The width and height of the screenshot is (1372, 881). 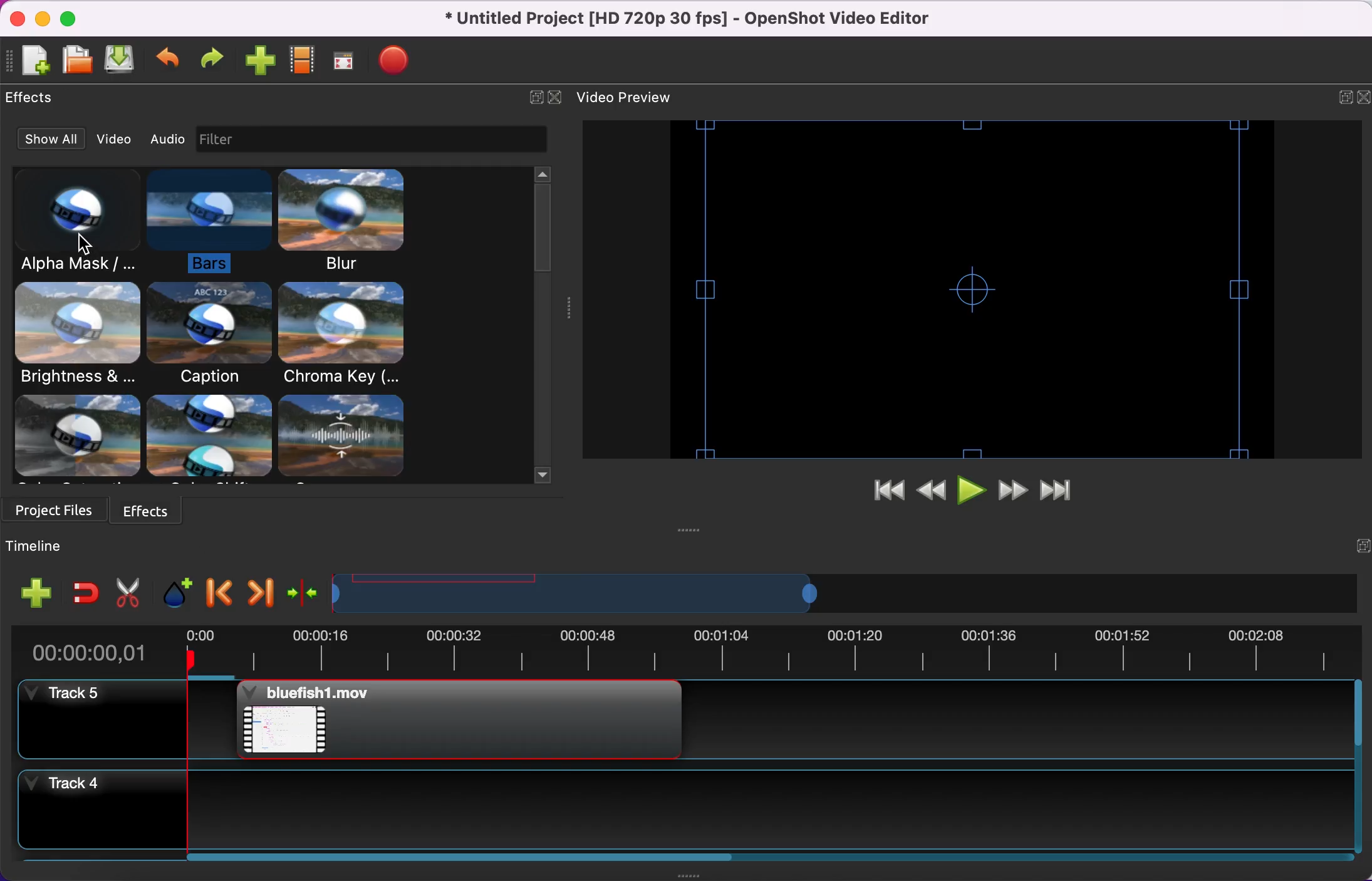 I want to click on vertical slider, so click(x=543, y=224).